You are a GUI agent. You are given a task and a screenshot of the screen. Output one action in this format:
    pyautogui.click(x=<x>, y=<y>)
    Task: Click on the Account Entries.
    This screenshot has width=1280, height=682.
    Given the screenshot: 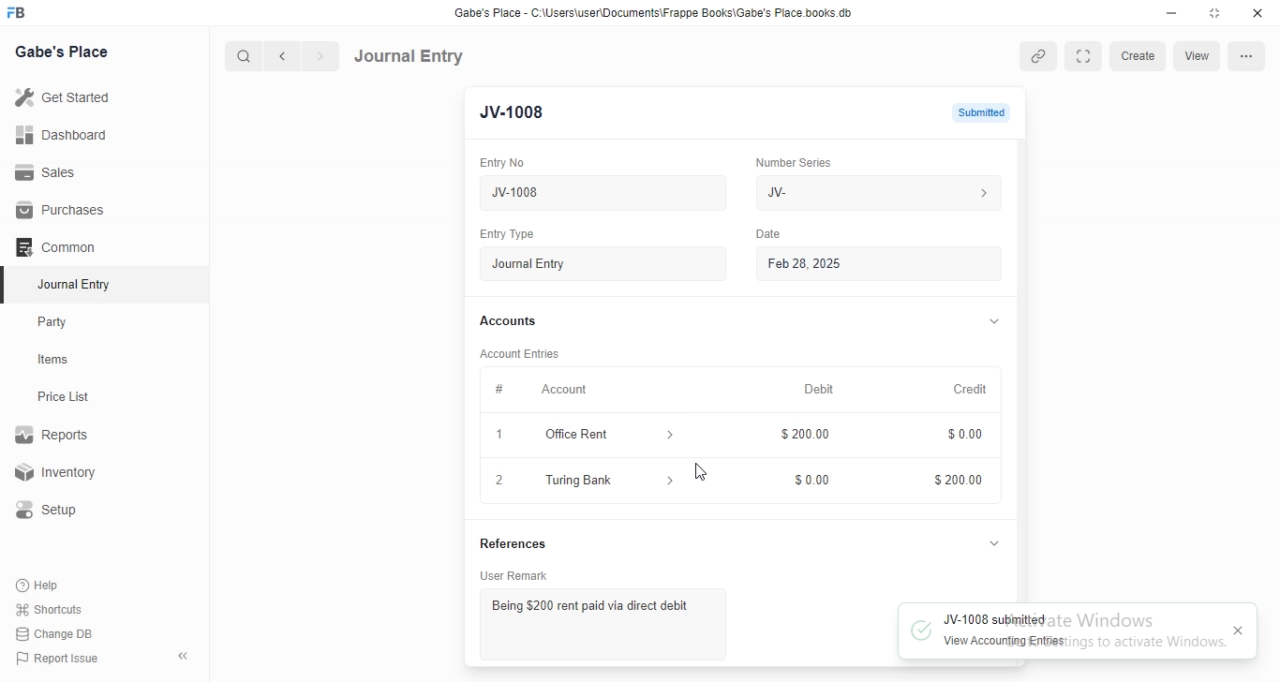 What is the action you would take?
    pyautogui.click(x=526, y=353)
    